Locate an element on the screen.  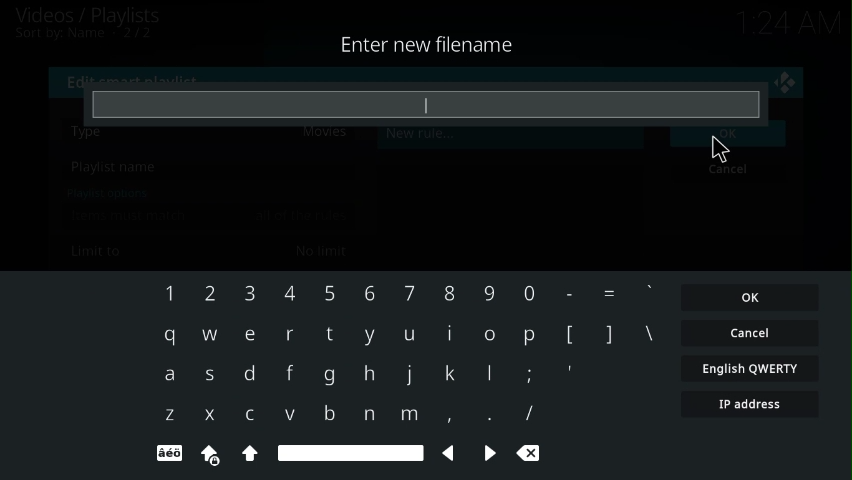
] is located at coordinates (607, 335).